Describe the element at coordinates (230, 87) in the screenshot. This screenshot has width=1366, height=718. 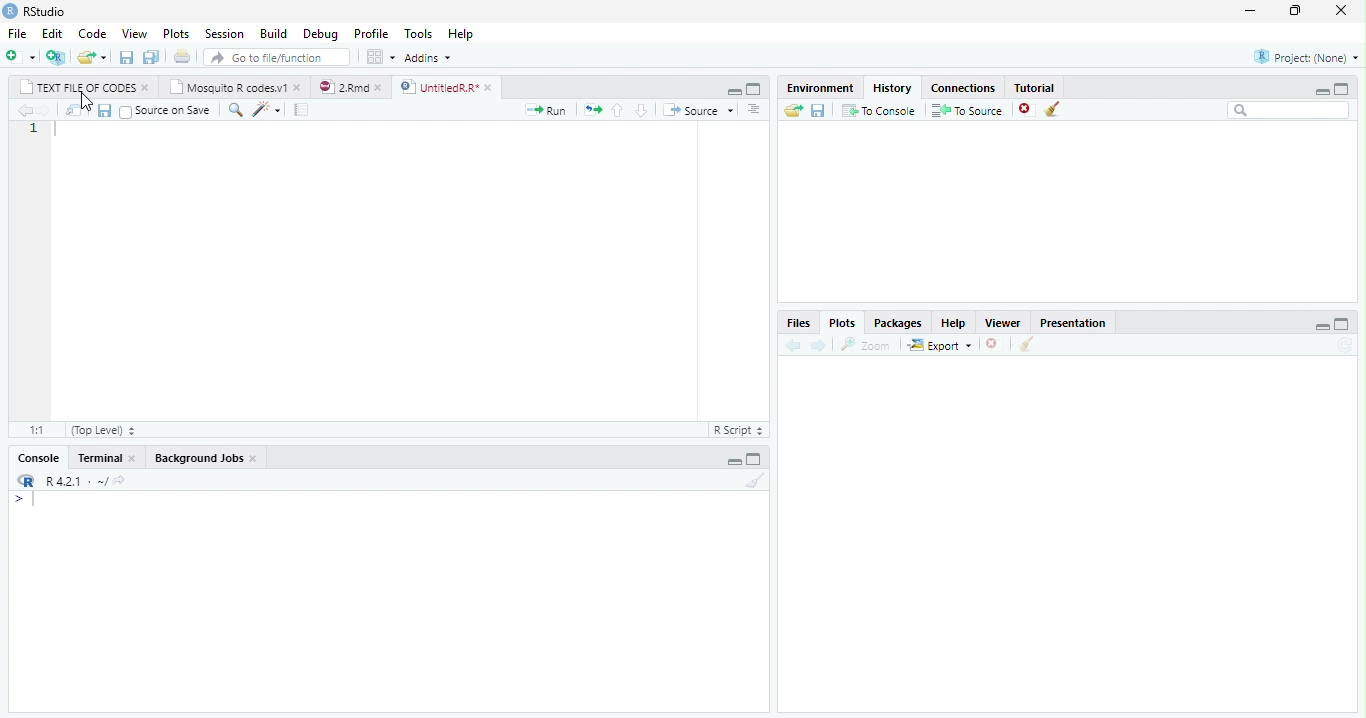
I see `mosquito R codes.v1` at that location.